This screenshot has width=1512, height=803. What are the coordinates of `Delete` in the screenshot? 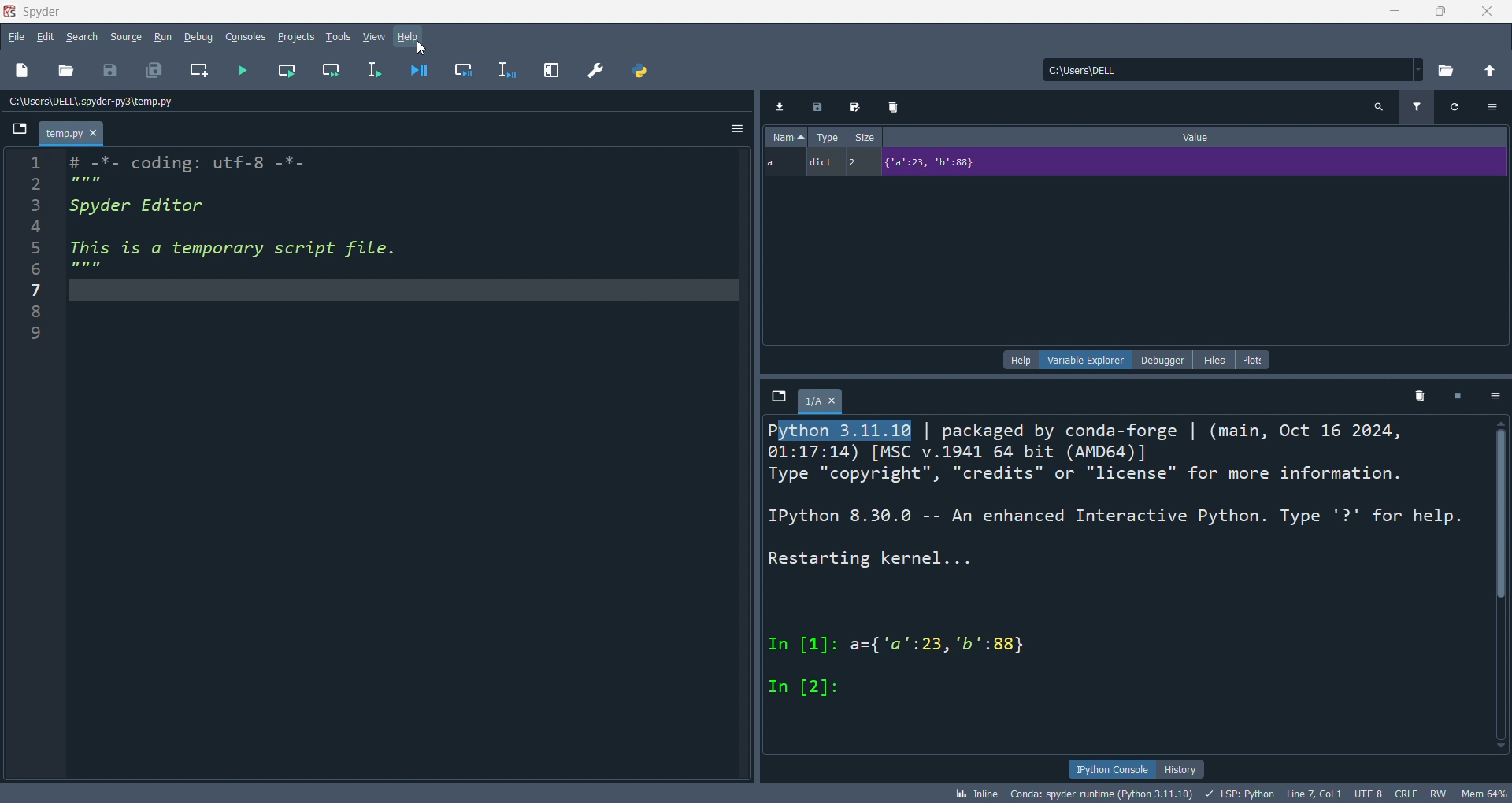 It's located at (895, 106).